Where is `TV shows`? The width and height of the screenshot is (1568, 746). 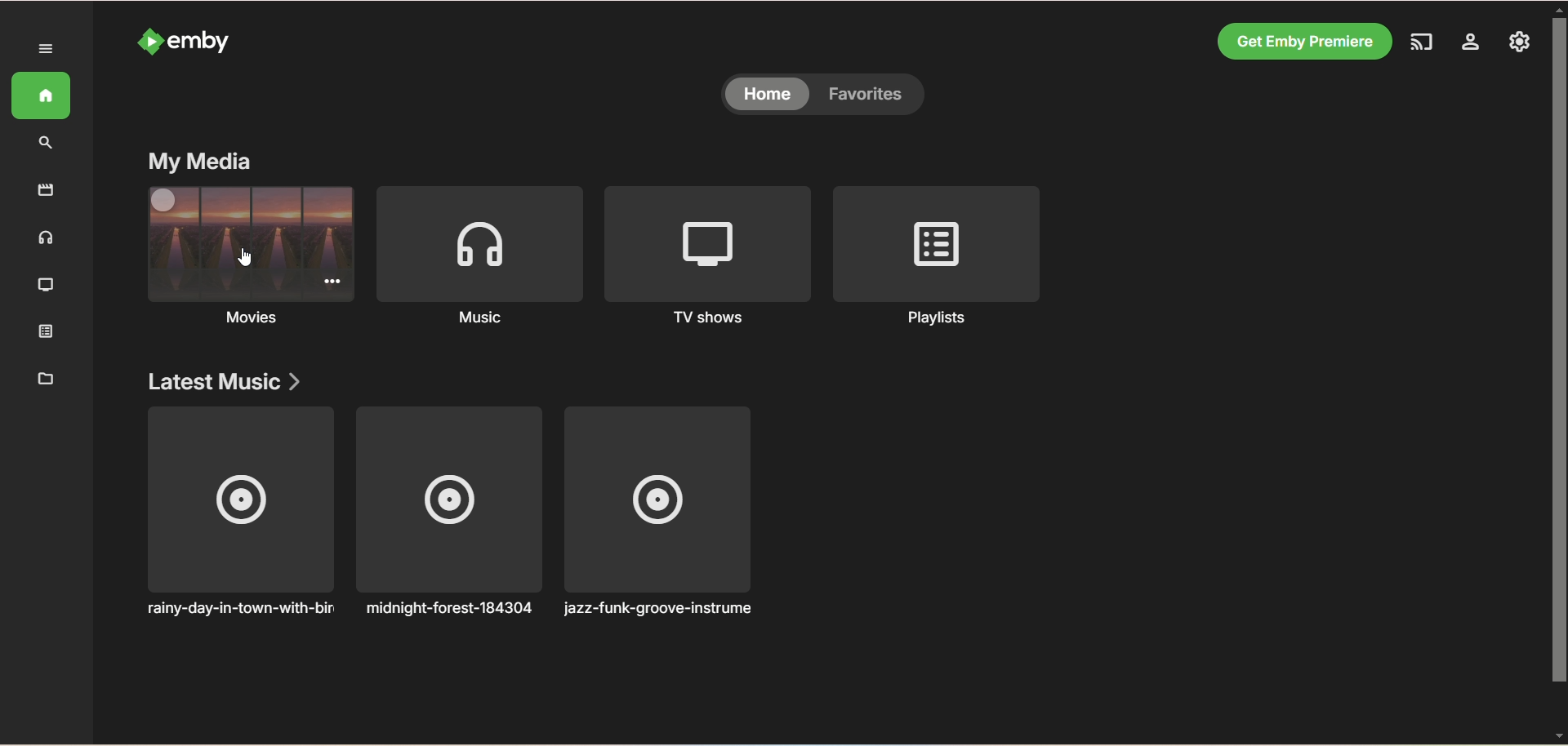
TV shows is located at coordinates (43, 283).